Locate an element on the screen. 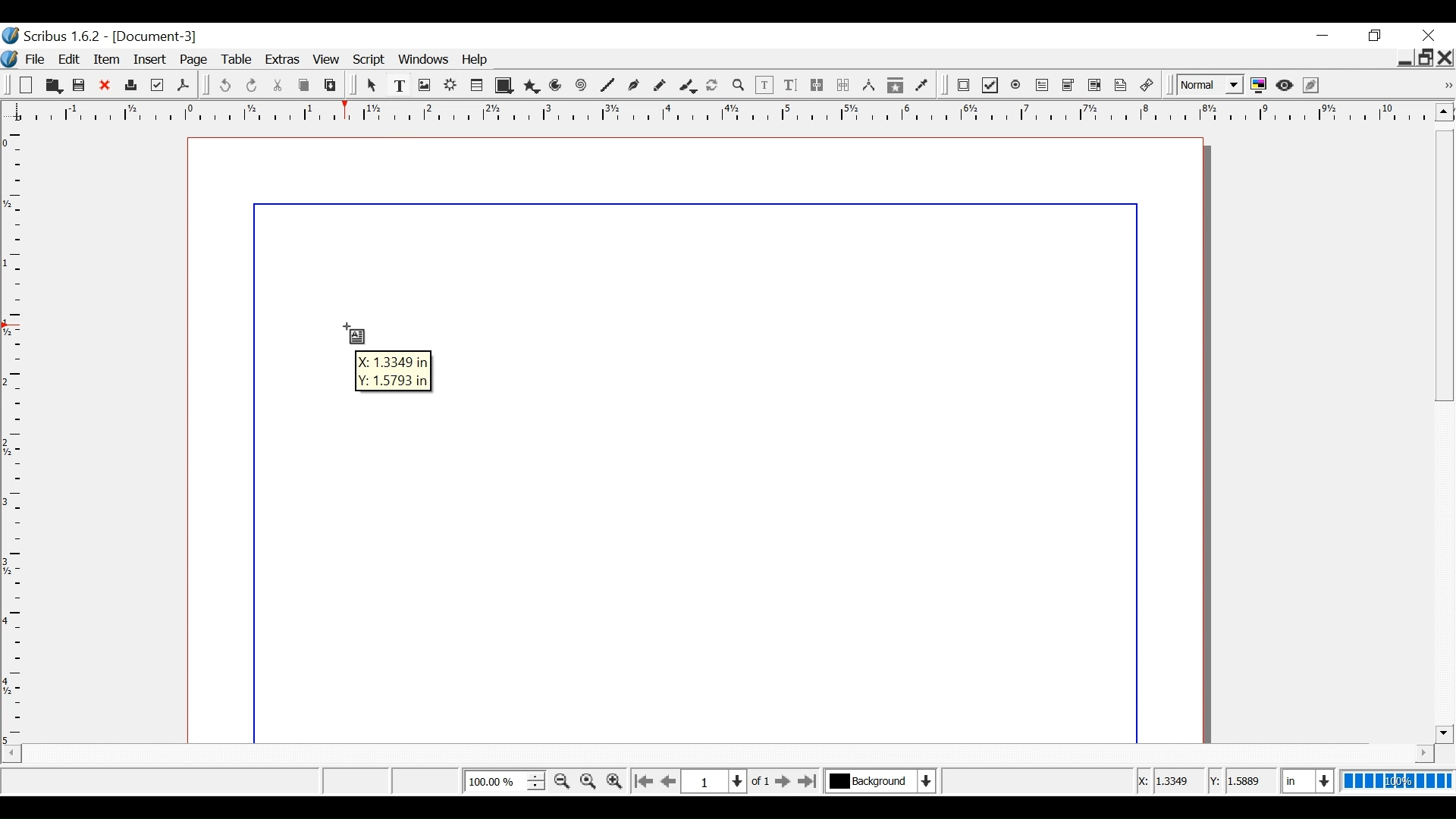 The image size is (1456, 819). Go to the first page is located at coordinates (645, 780).